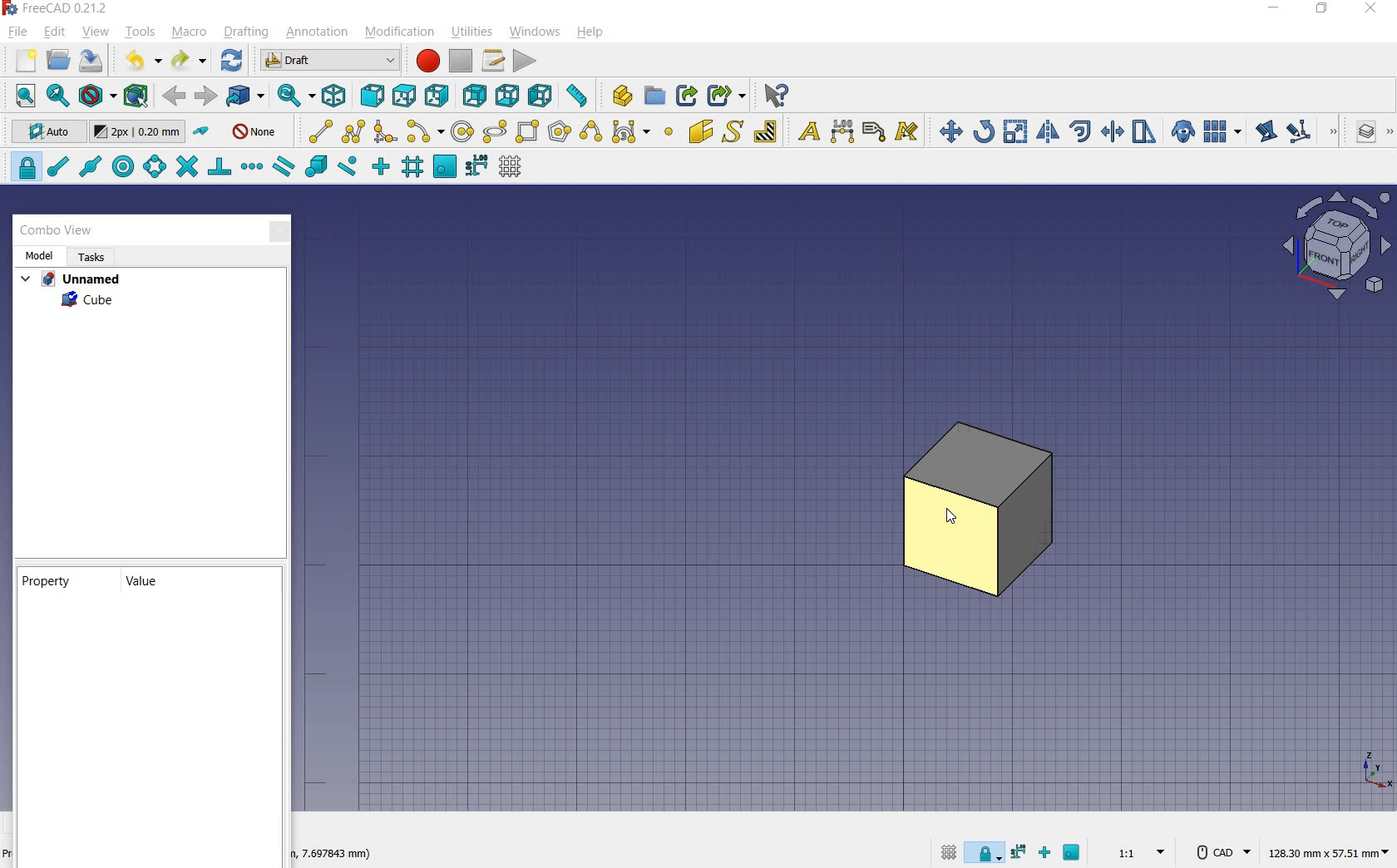 Image resolution: width=1397 pixels, height=868 pixels. I want to click on new, so click(21, 61).